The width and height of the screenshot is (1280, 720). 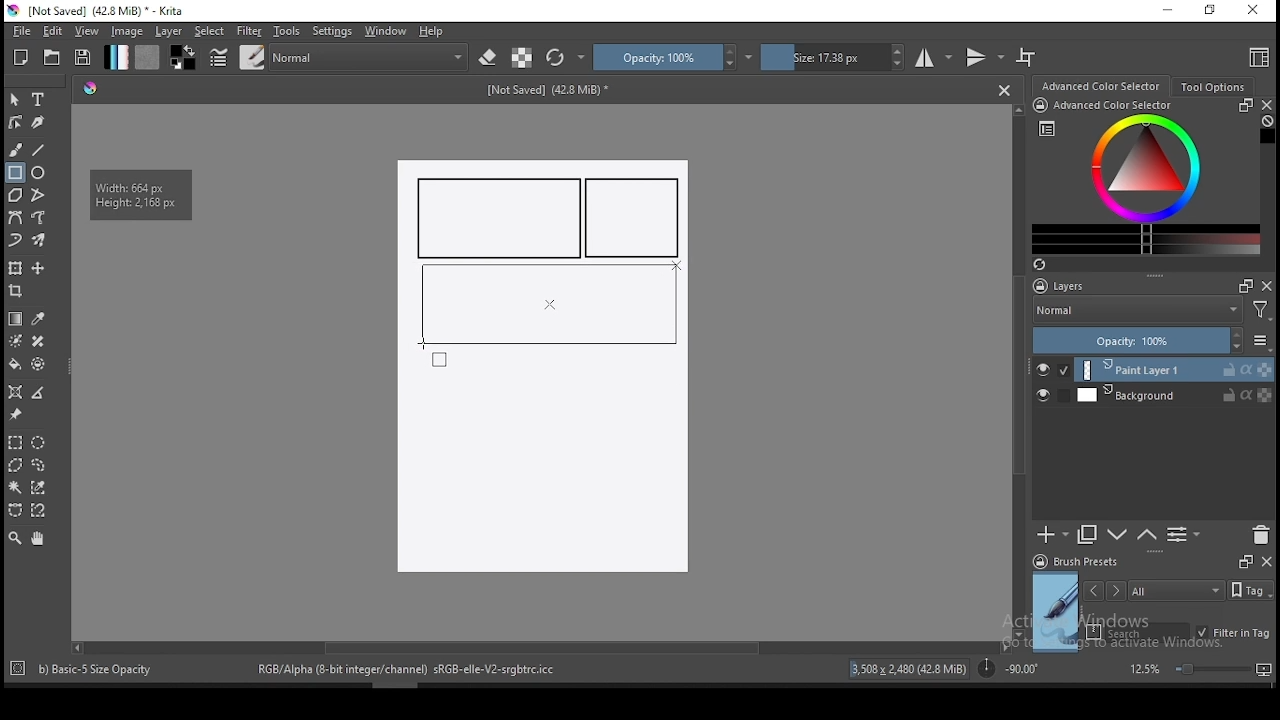 What do you see at coordinates (1257, 57) in the screenshot?
I see `choose workspace` at bounding box center [1257, 57].